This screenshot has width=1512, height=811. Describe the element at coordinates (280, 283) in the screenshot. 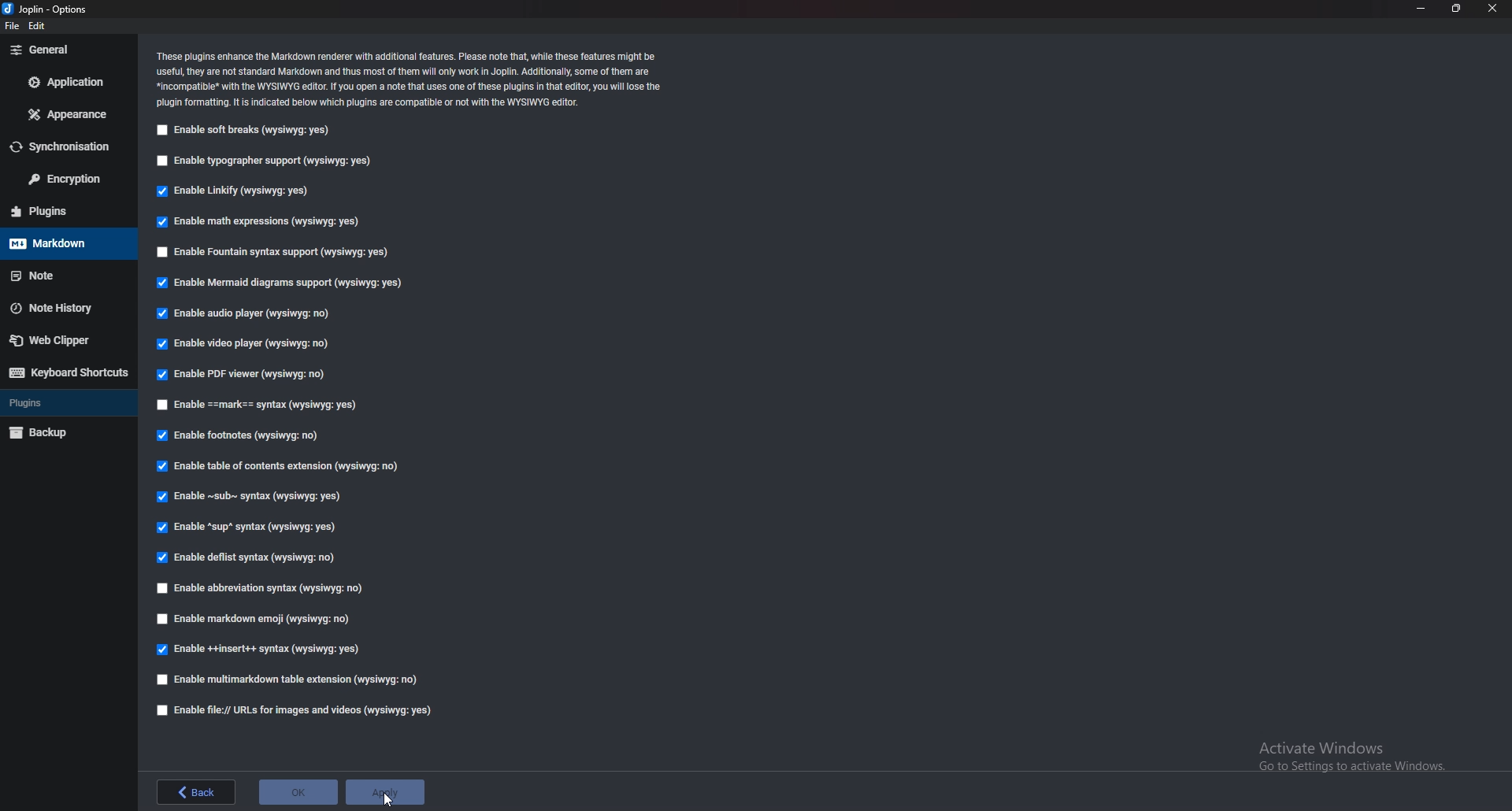

I see `enable mermaid diagram support` at that location.